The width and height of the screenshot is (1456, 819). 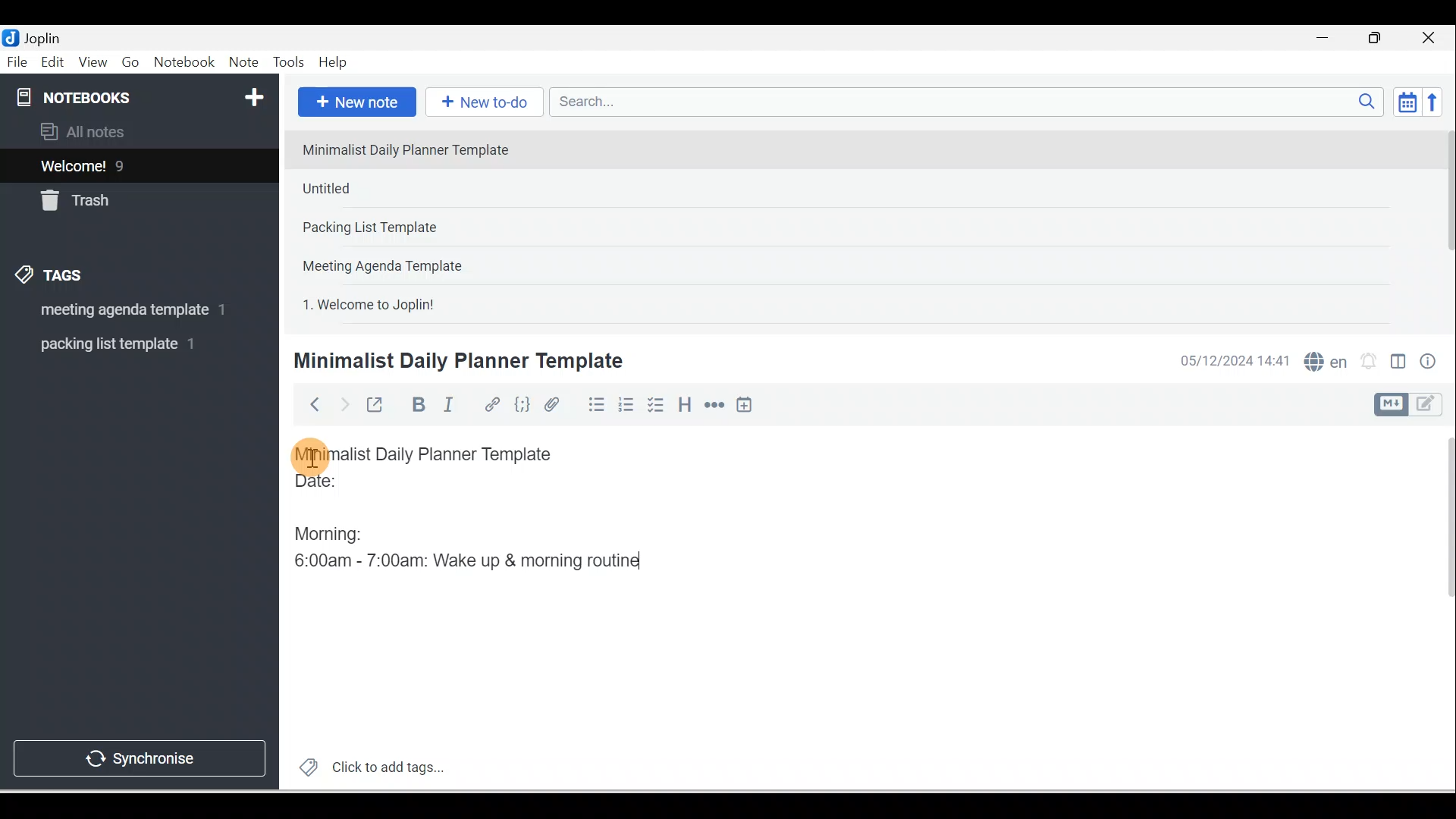 What do you see at coordinates (491, 406) in the screenshot?
I see `Hyperlink` at bounding box center [491, 406].